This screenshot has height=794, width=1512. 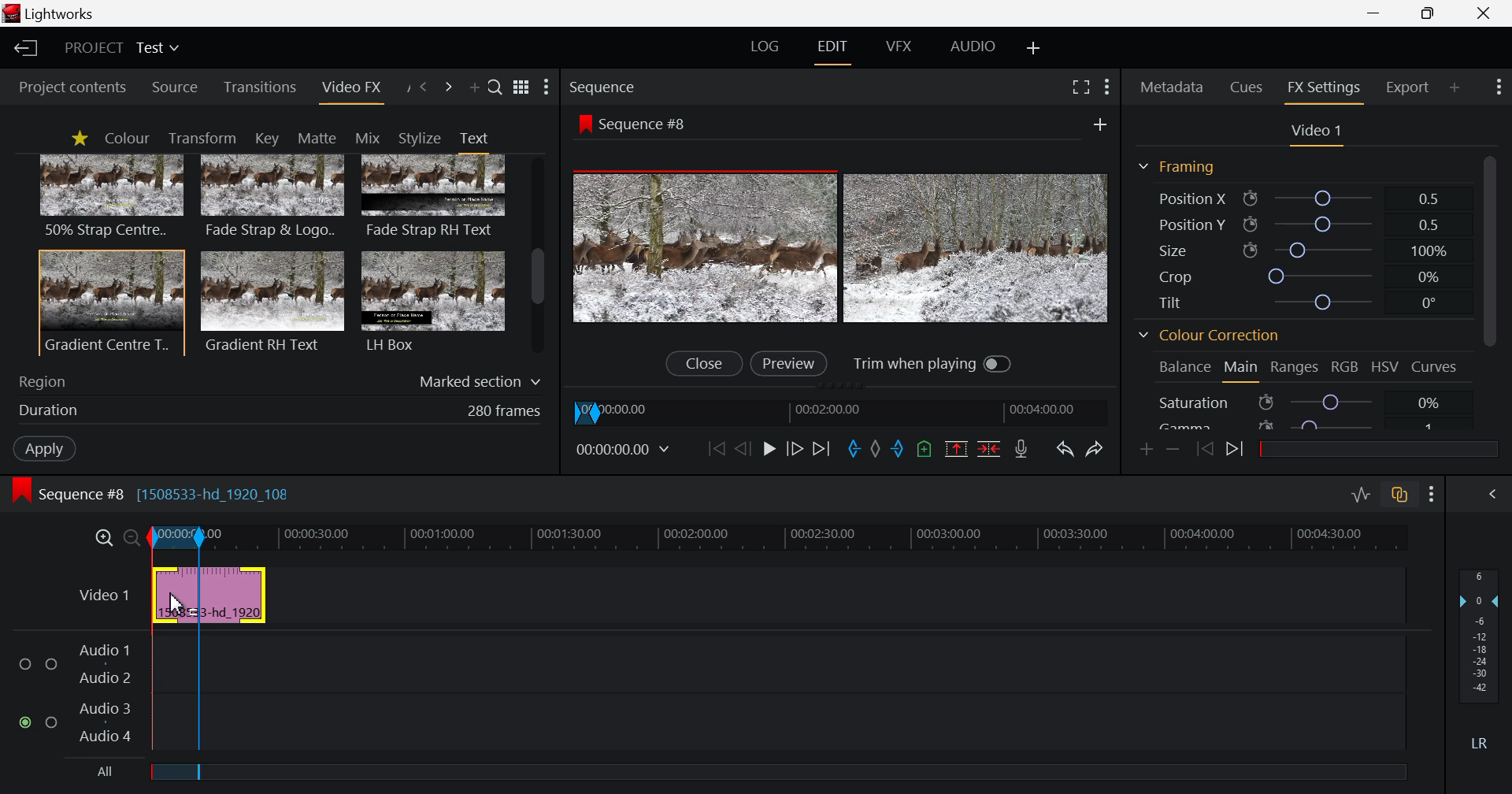 I want to click on Toggle audio levels editing, so click(x=1364, y=495).